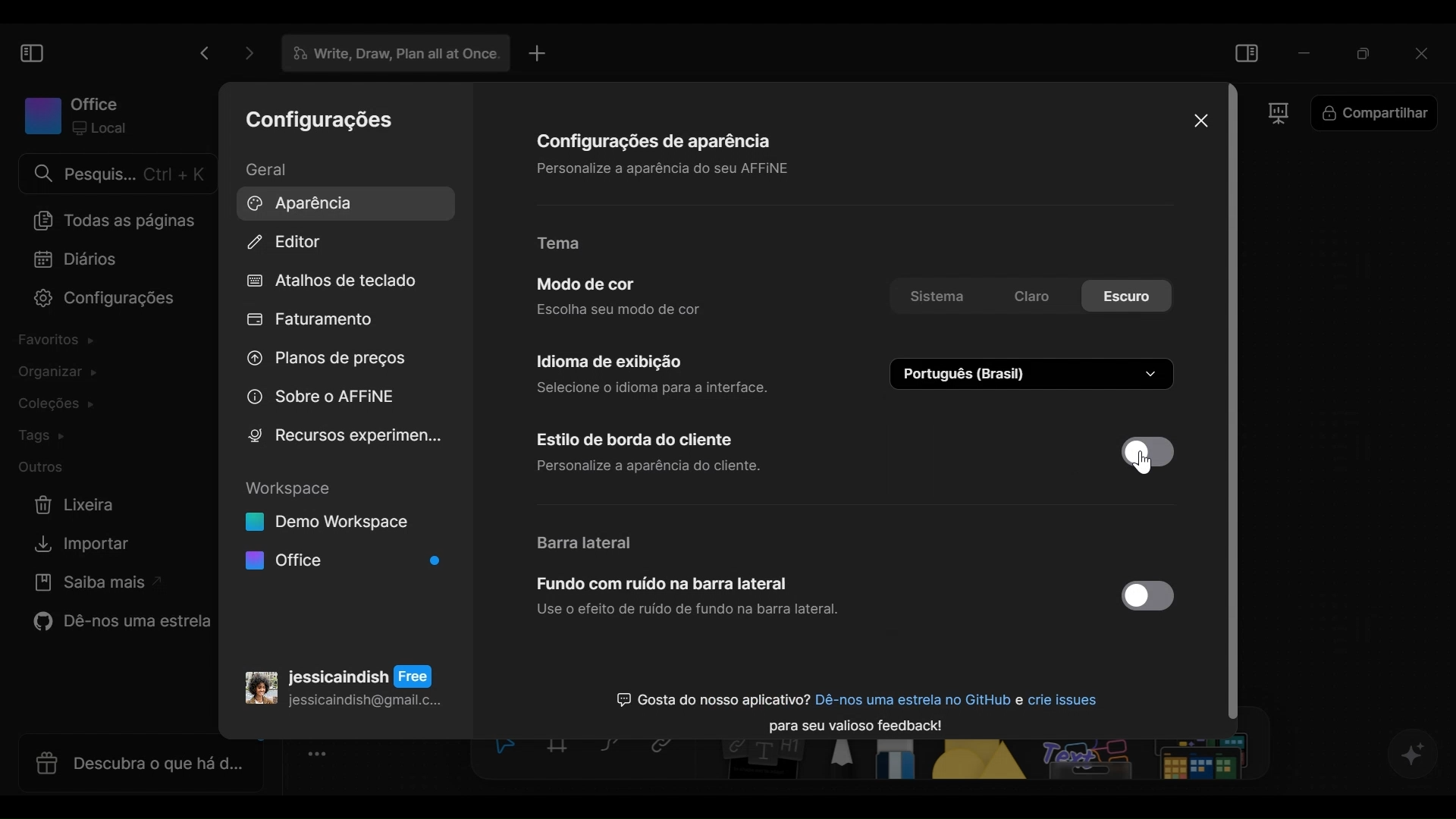 This screenshot has height=819, width=1456. I want to click on Click to go forward, so click(244, 53).